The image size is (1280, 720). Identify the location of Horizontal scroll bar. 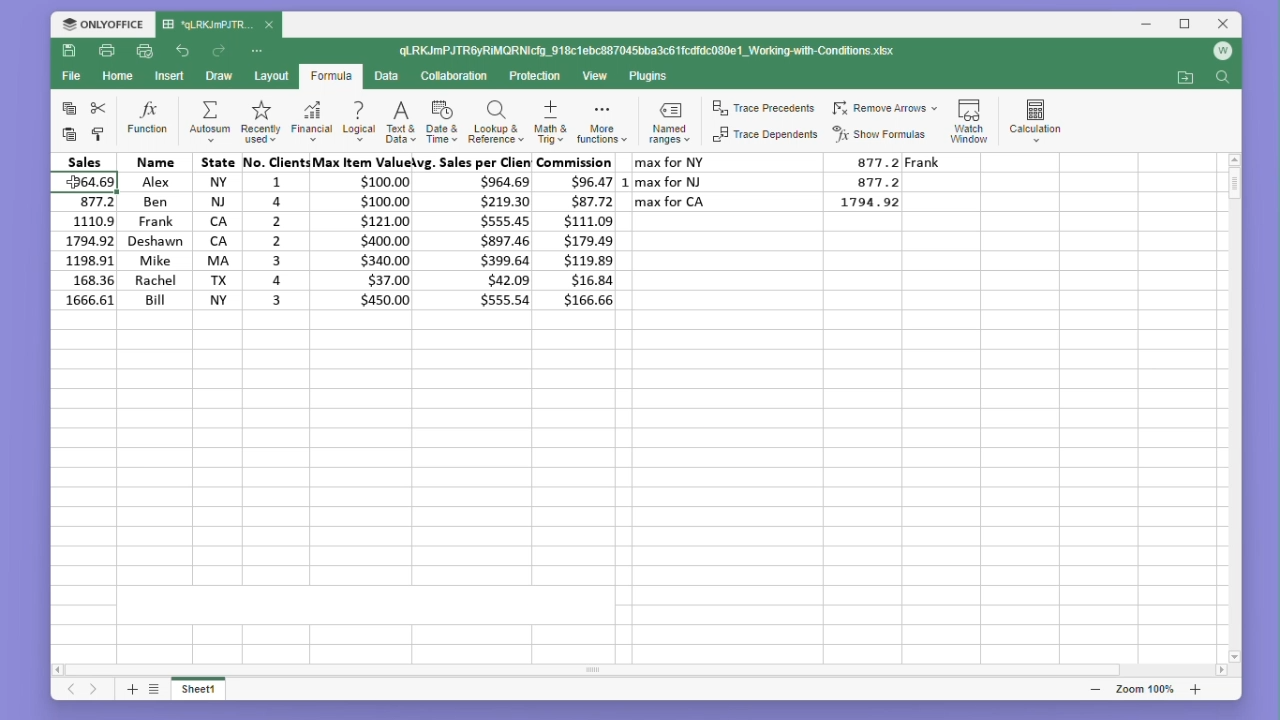
(629, 670).